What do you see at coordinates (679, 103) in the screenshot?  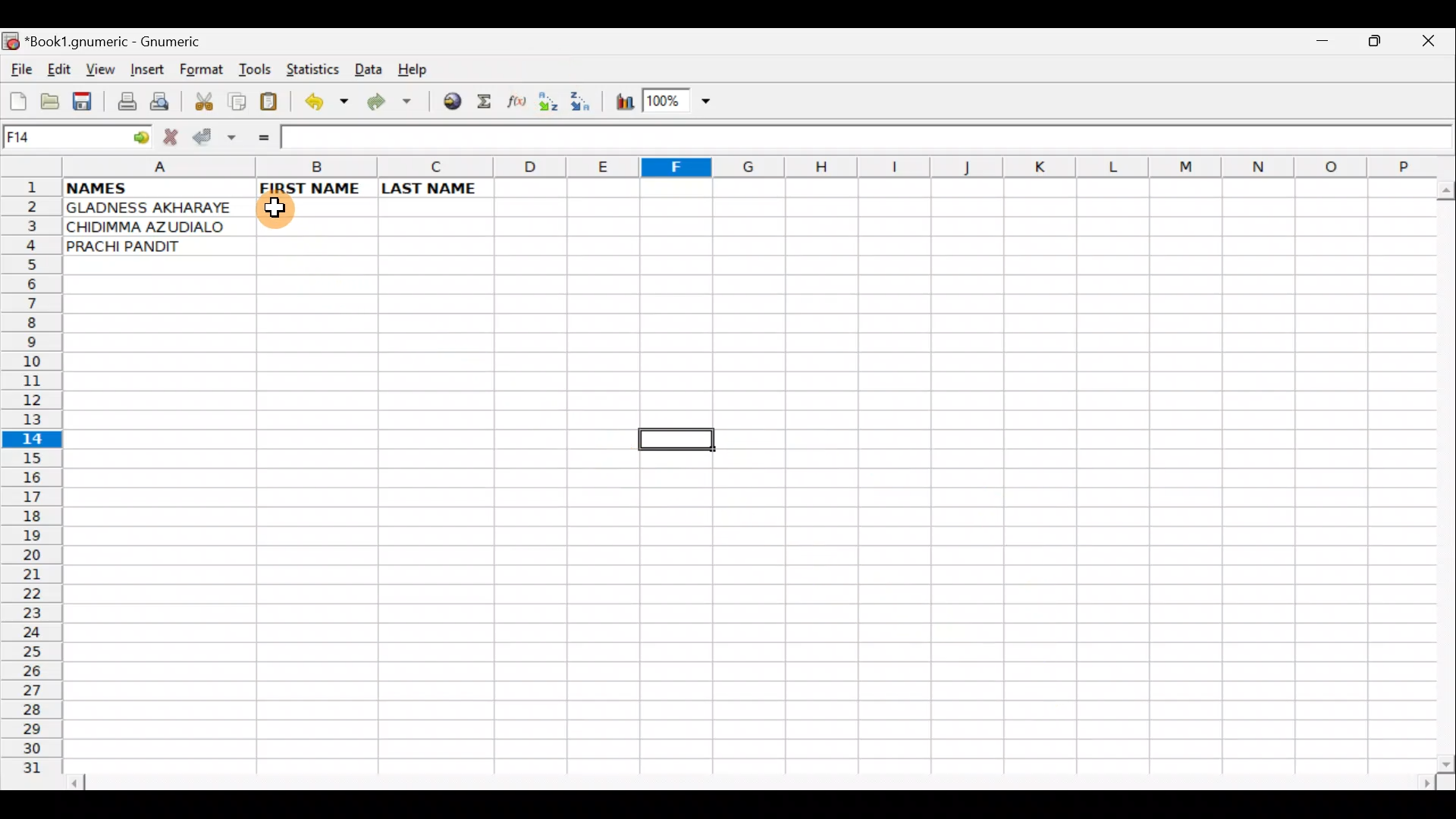 I see `Zoom` at bounding box center [679, 103].